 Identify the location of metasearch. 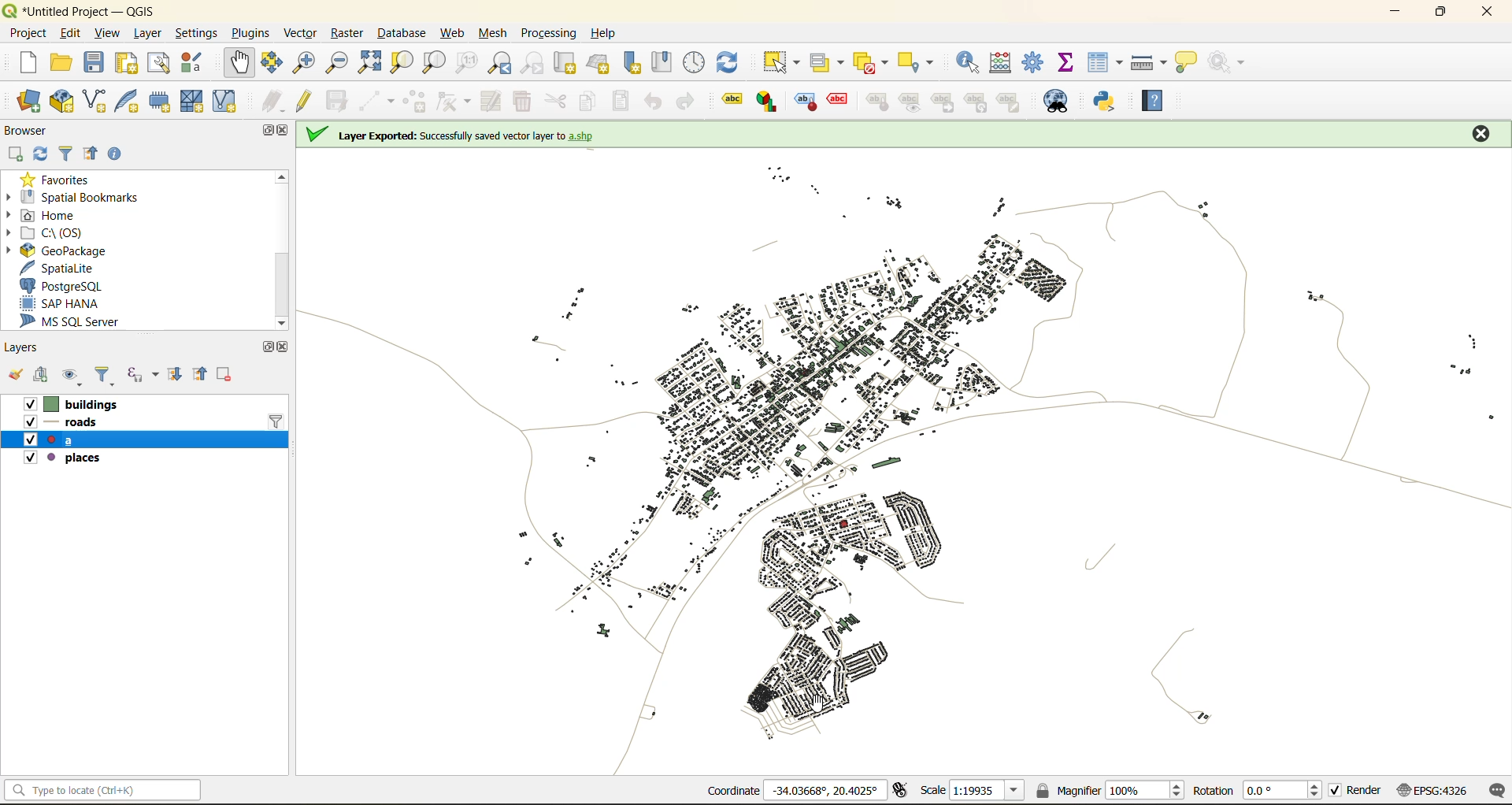
(1058, 102).